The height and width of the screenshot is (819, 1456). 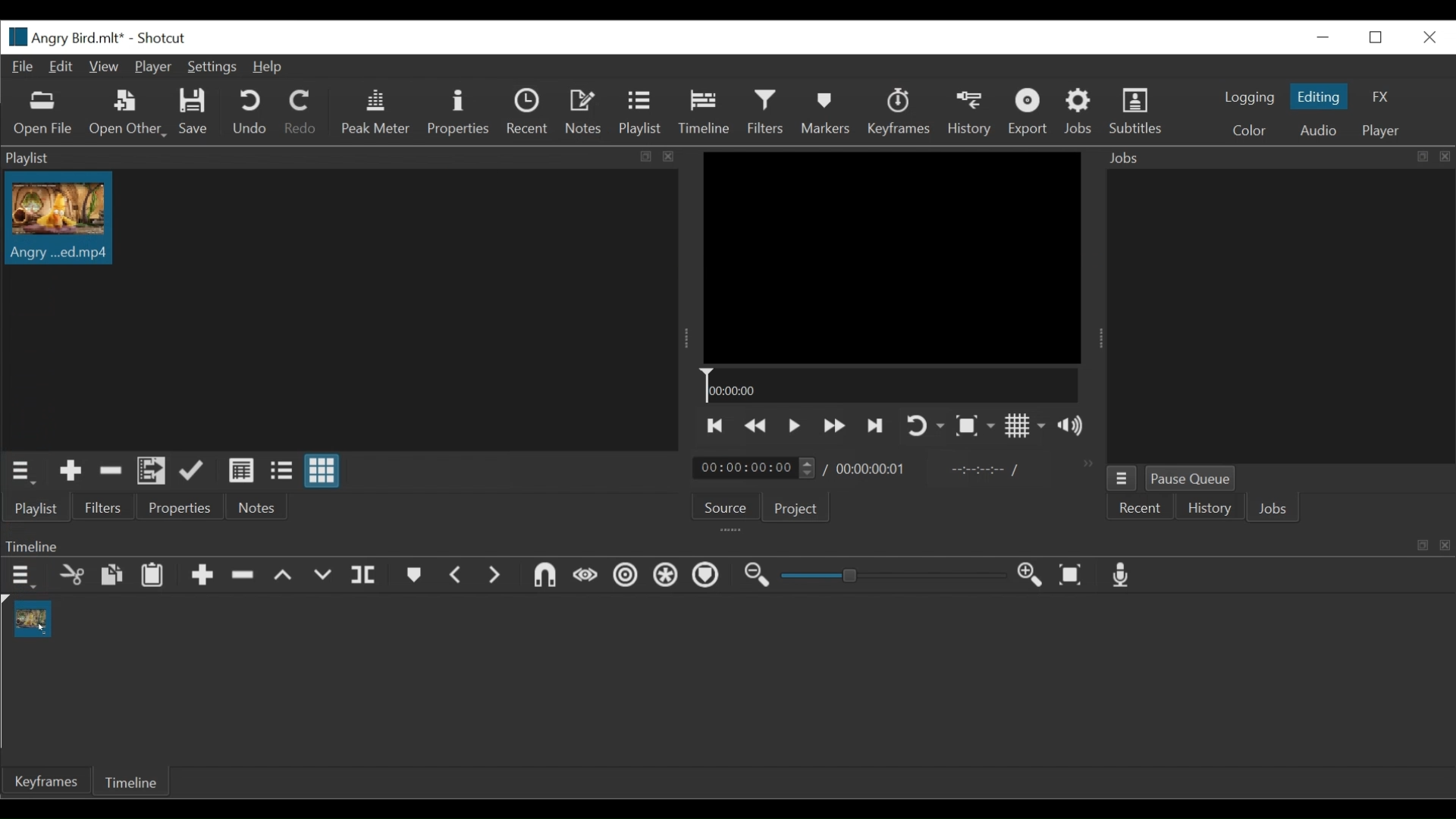 I want to click on Notes, so click(x=258, y=507).